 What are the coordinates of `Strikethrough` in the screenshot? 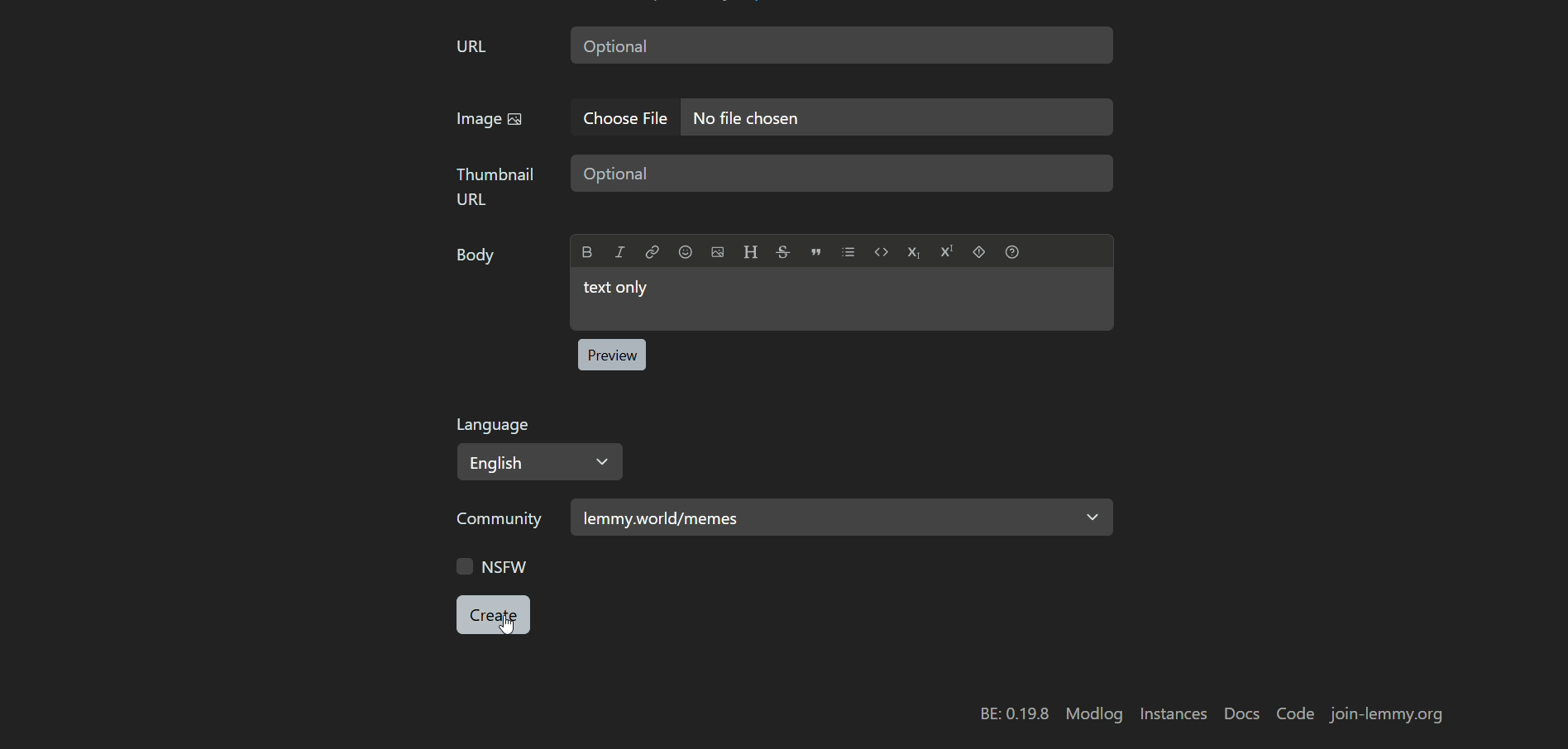 It's located at (783, 250).